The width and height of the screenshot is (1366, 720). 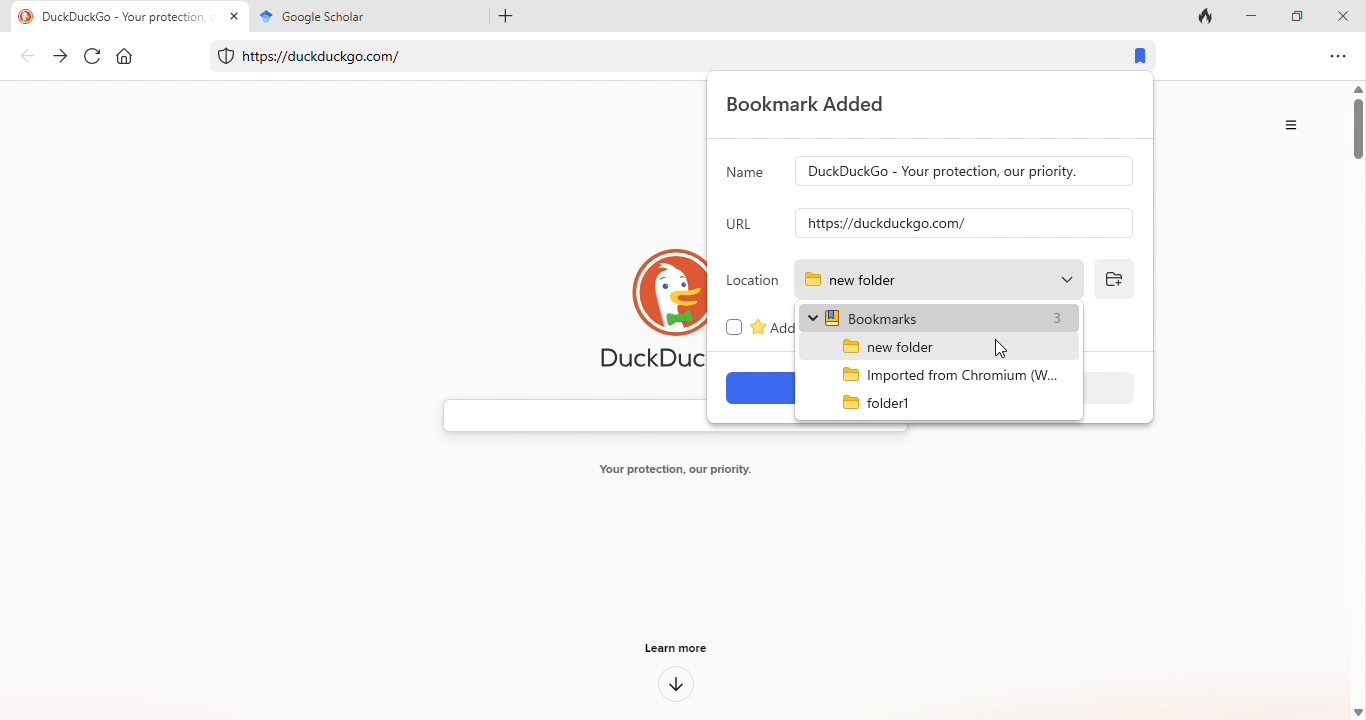 What do you see at coordinates (127, 16) in the screenshot?
I see `title` at bounding box center [127, 16].